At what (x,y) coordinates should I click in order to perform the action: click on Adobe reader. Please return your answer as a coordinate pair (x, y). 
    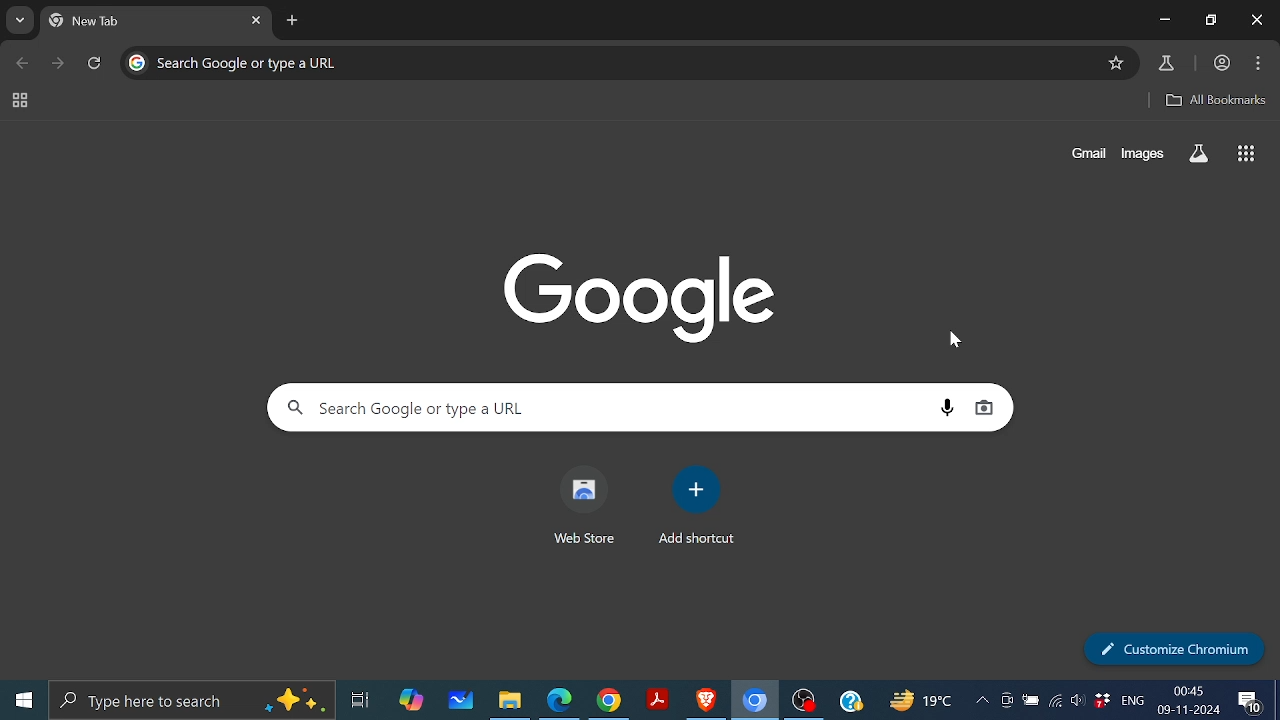
    Looking at the image, I should click on (660, 700).